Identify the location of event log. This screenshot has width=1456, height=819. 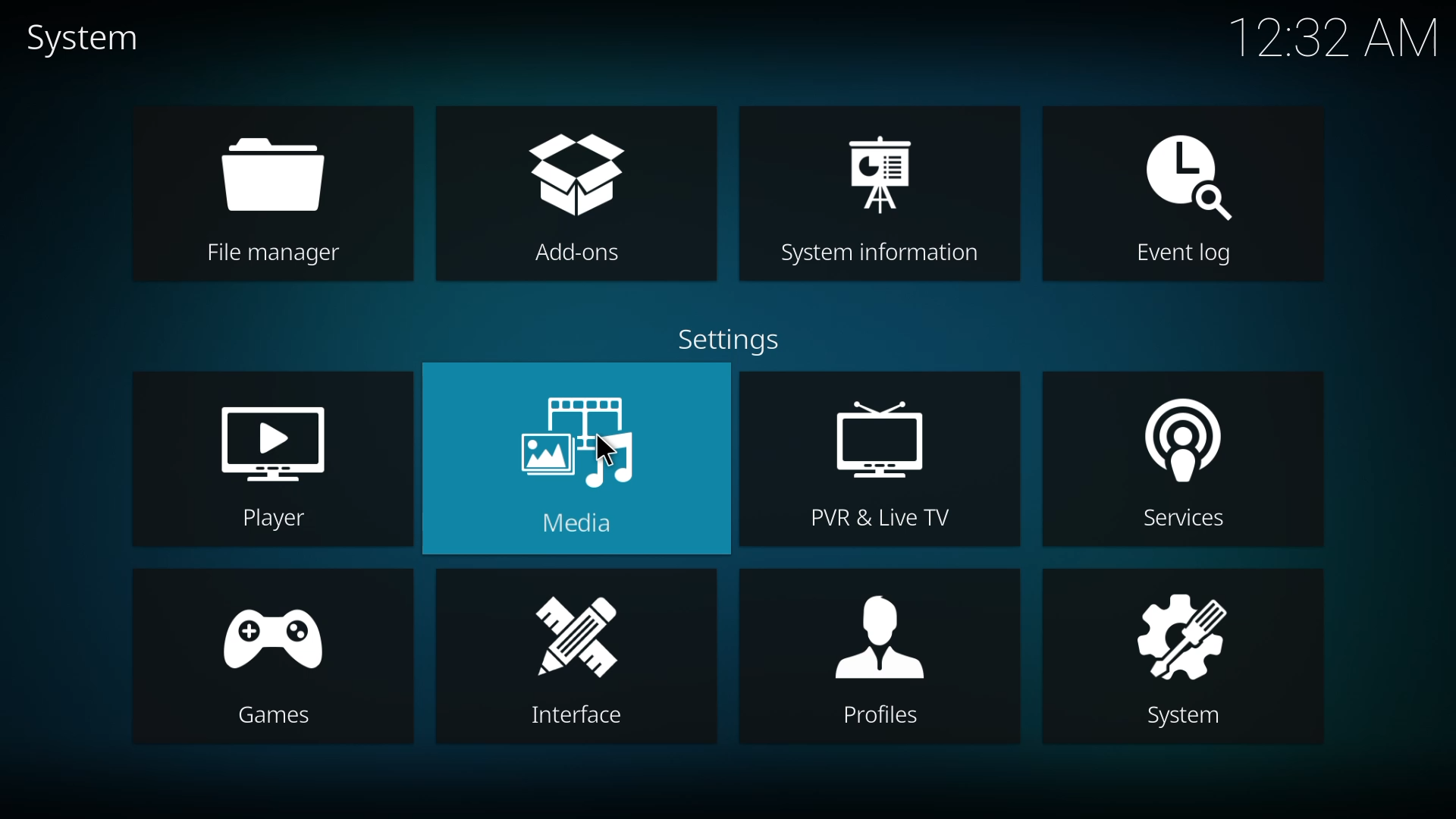
(1185, 197).